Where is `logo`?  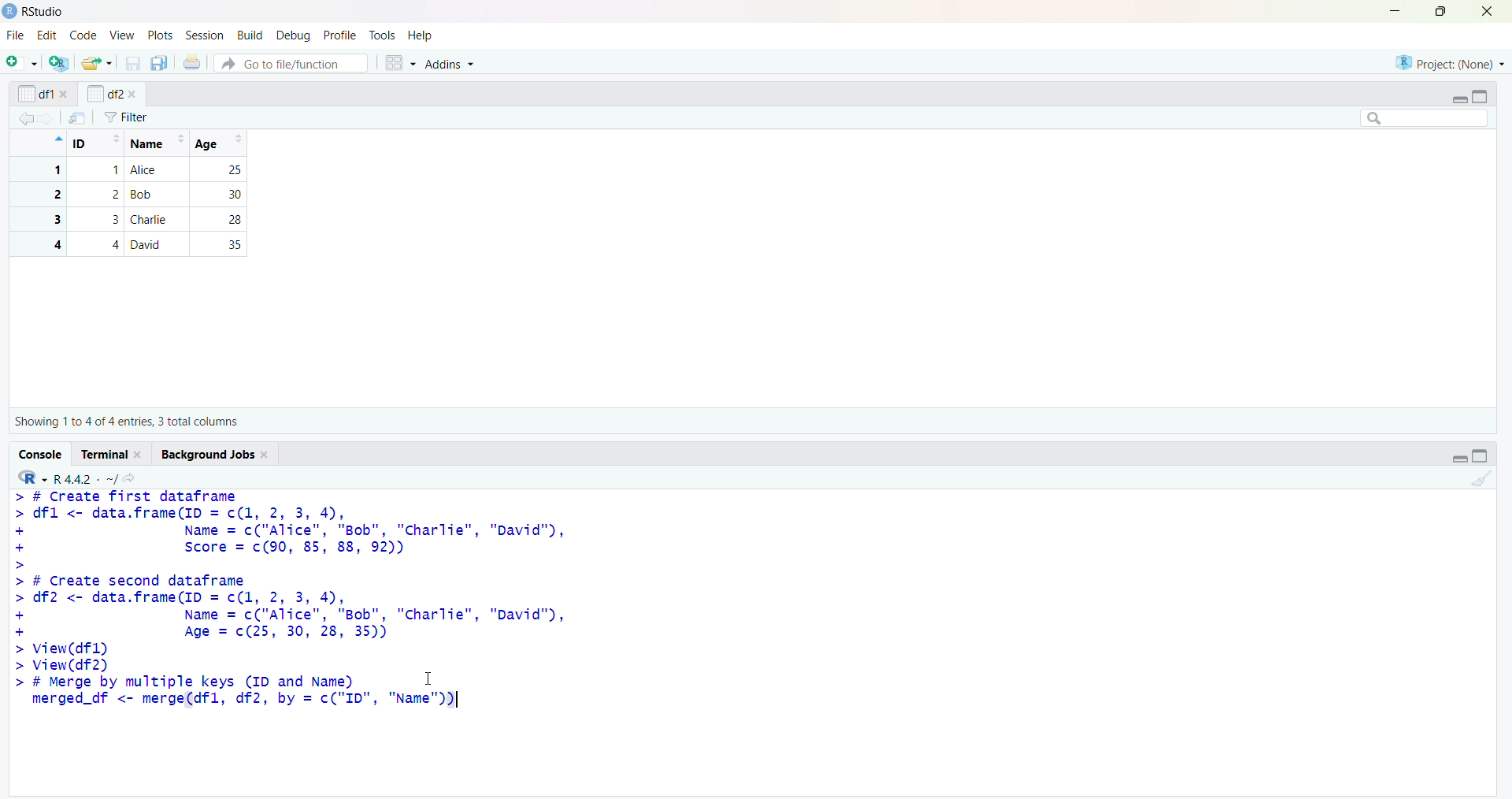
logo is located at coordinates (11, 12).